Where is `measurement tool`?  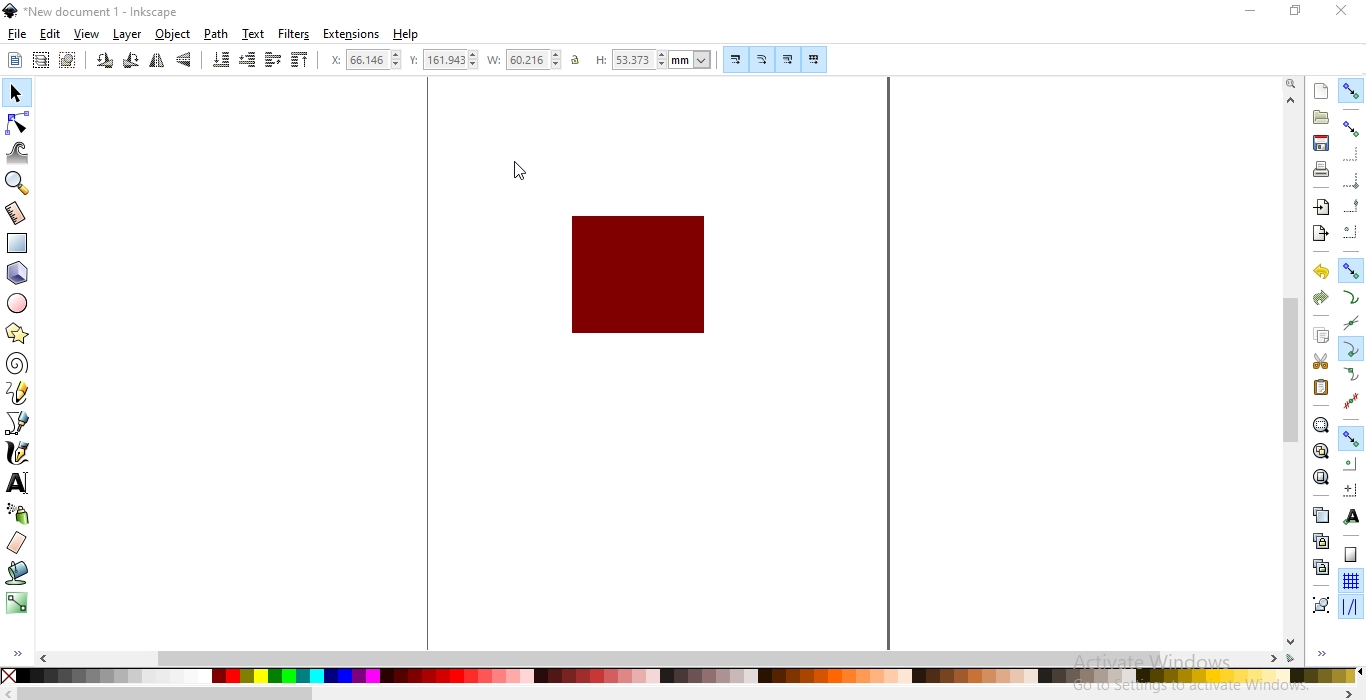 measurement tool is located at coordinates (17, 214).